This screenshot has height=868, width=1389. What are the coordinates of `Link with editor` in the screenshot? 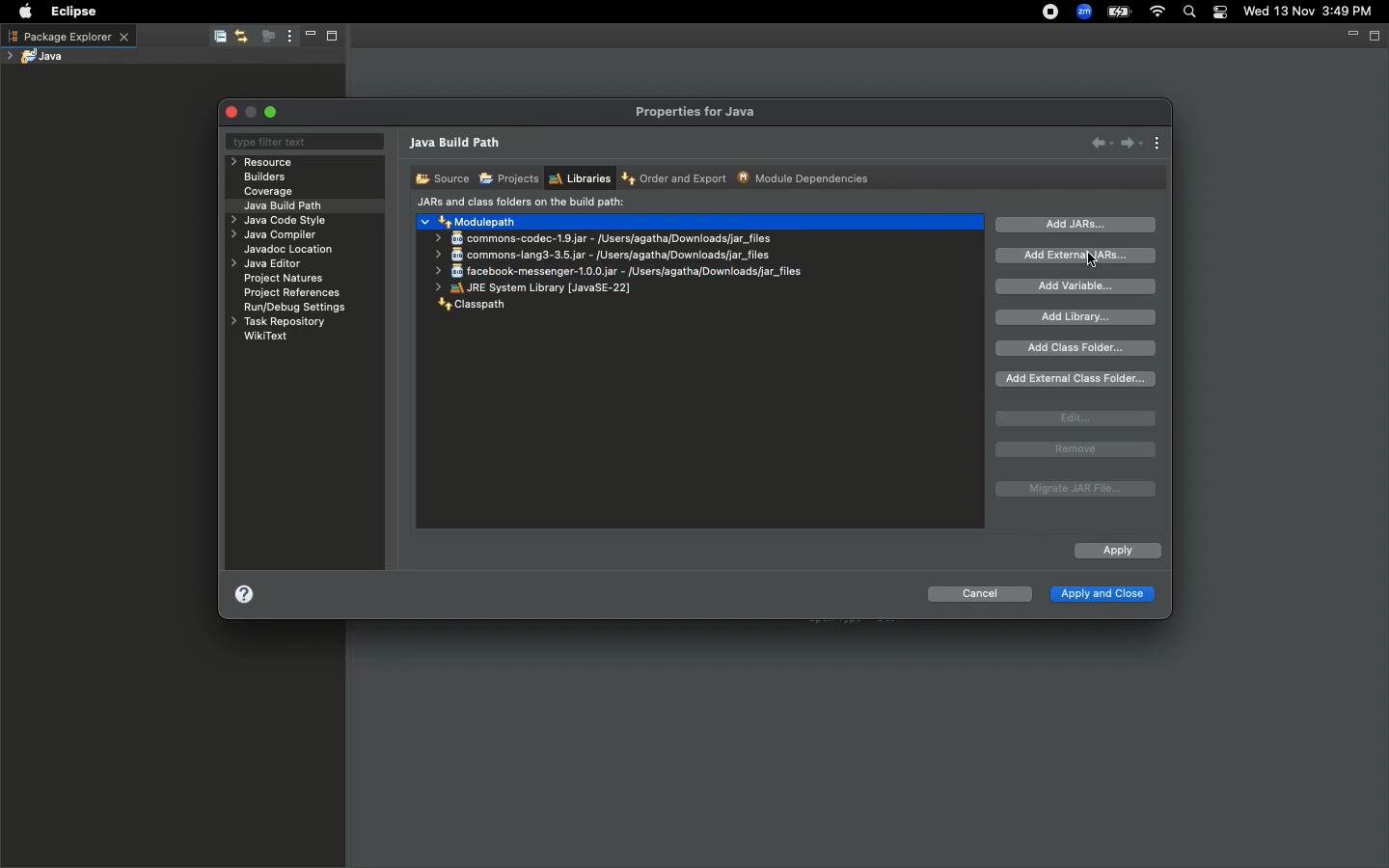 It's located at (242, 36).